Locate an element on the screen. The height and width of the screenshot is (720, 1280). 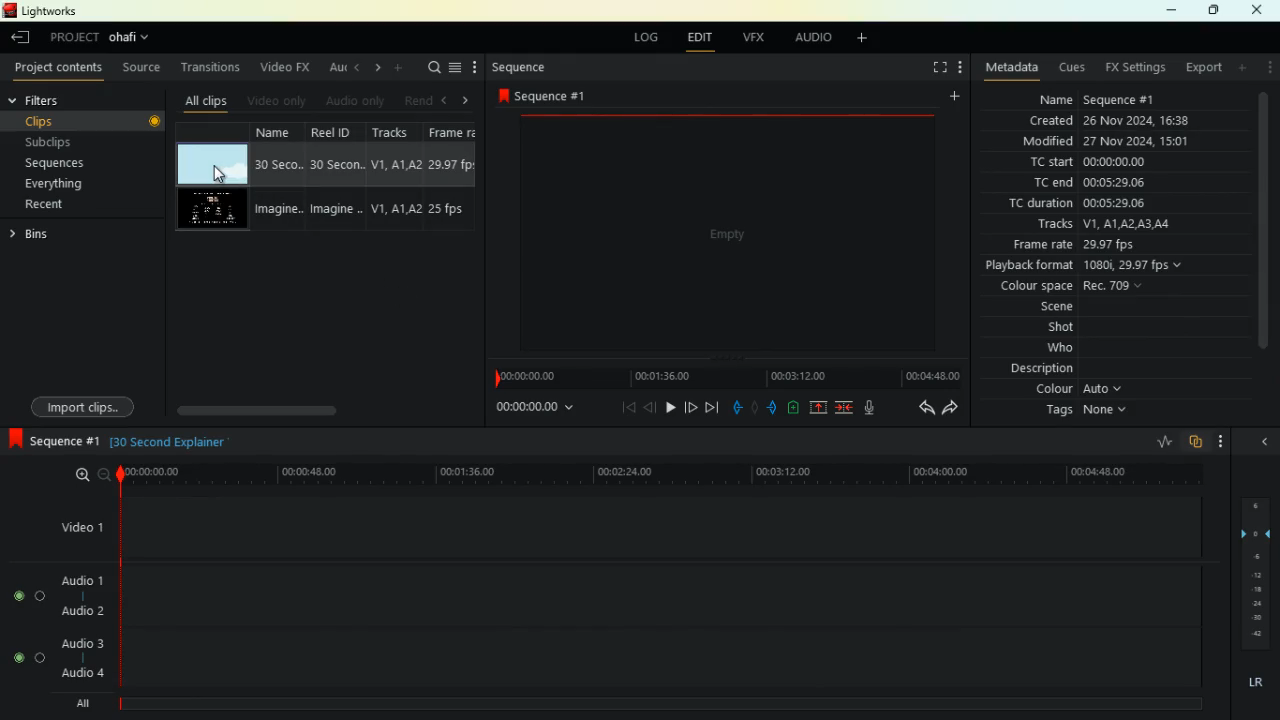
audio only is located at coordinates (357, 100).